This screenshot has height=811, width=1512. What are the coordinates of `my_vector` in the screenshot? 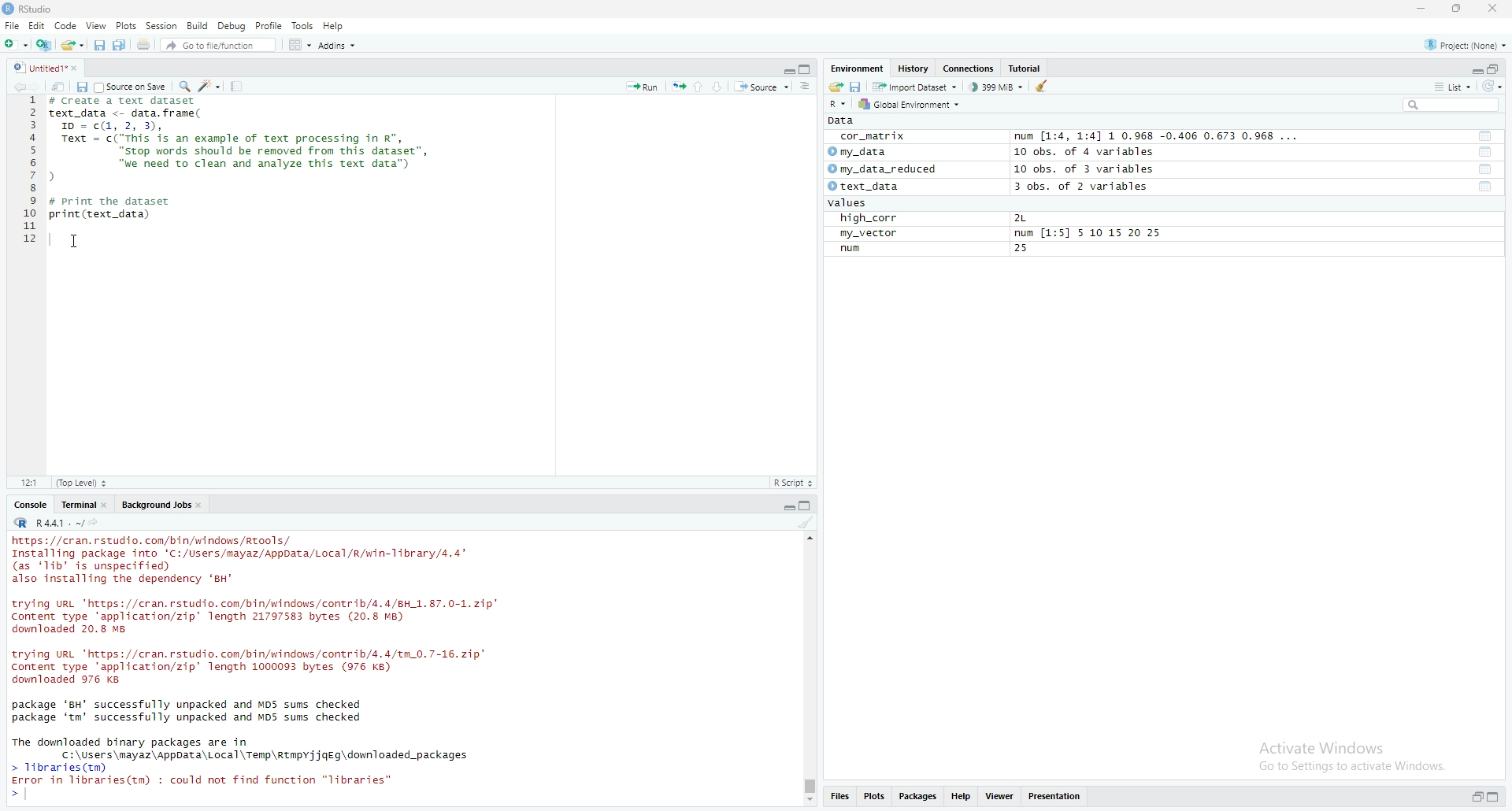 It's located at (870, 234).